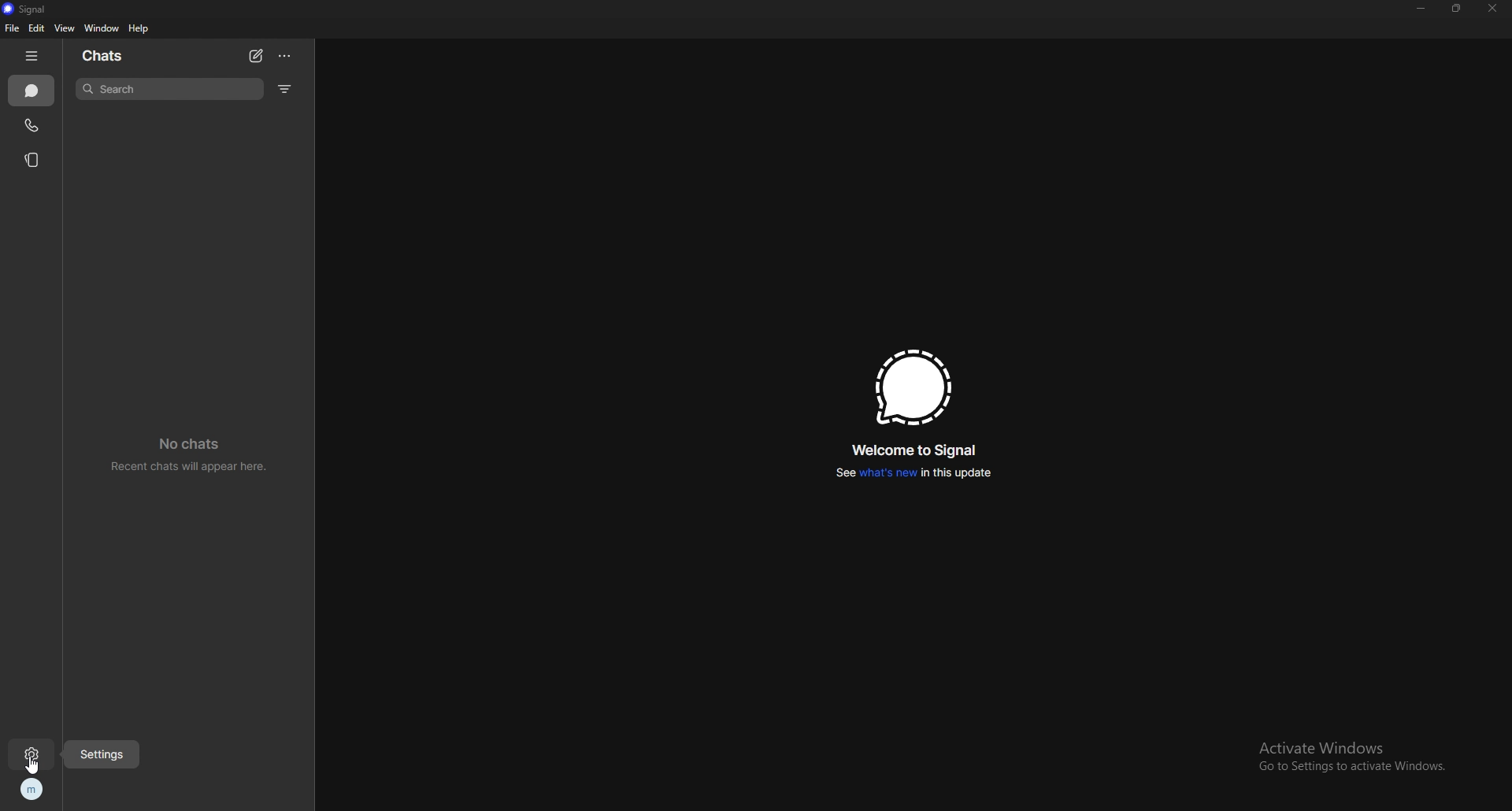  Describe the element at coordinates (913, 472) in the screenshot. I see `see whats new in this update` at that location.